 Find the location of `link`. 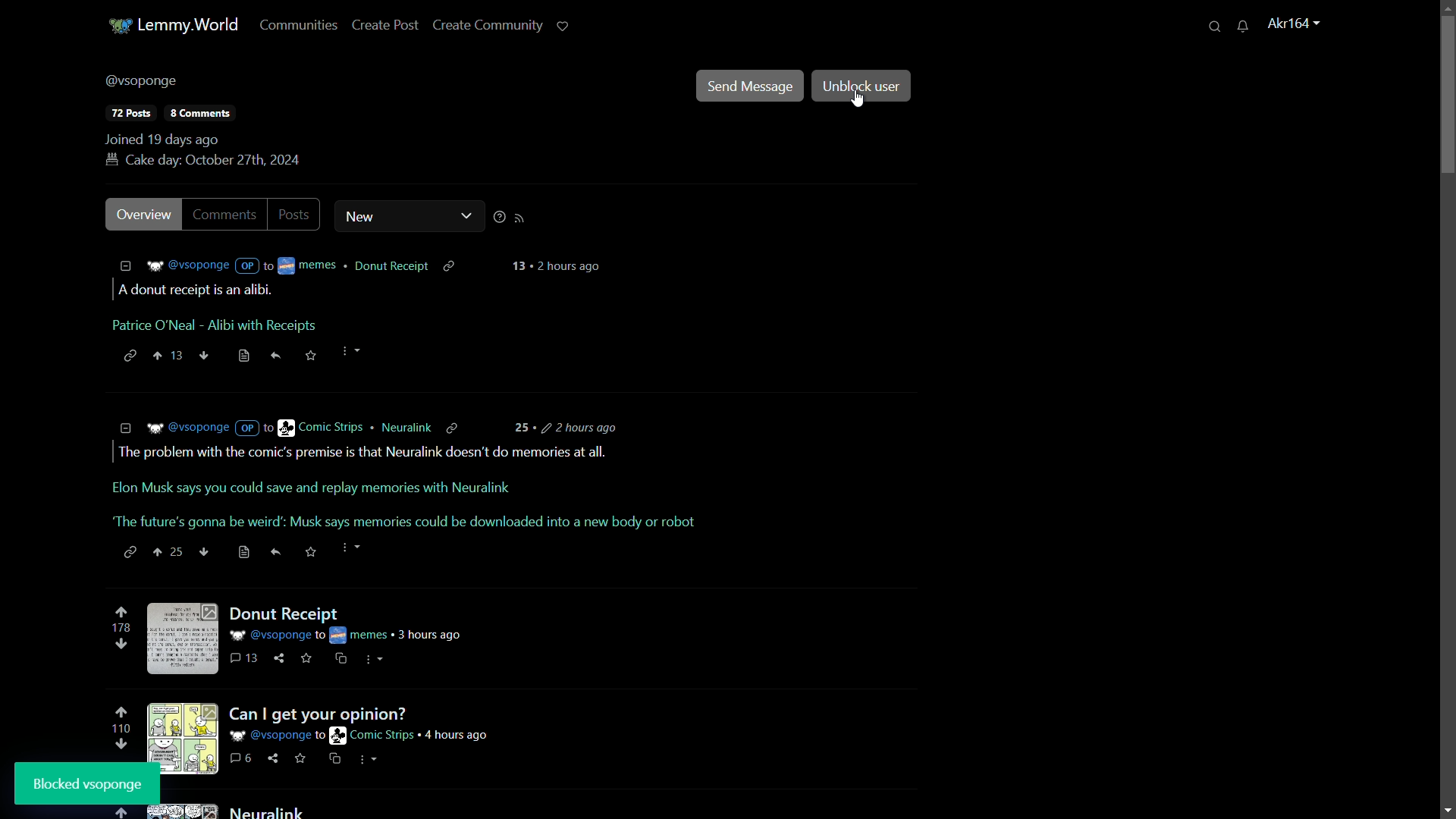

link is located at coordinates (131, 553).